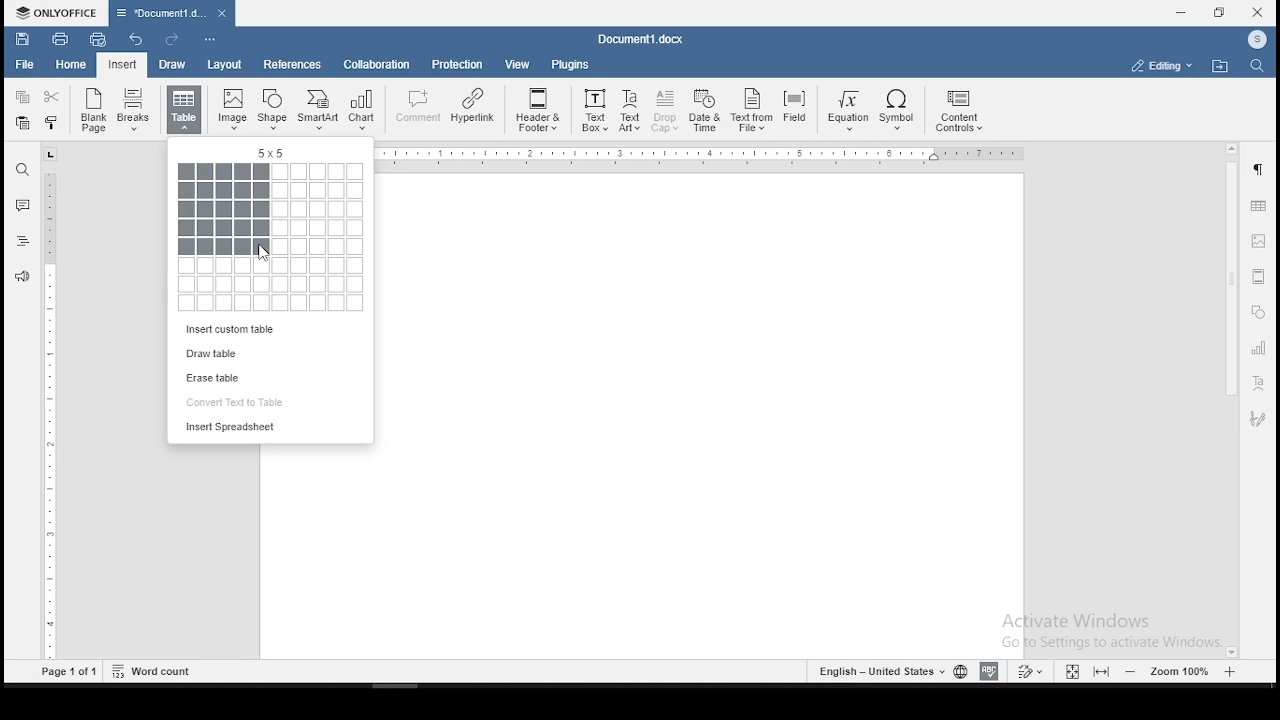  Describe the element at coordinates (98, 39) in the screenshot. I see `quick print` at that location.